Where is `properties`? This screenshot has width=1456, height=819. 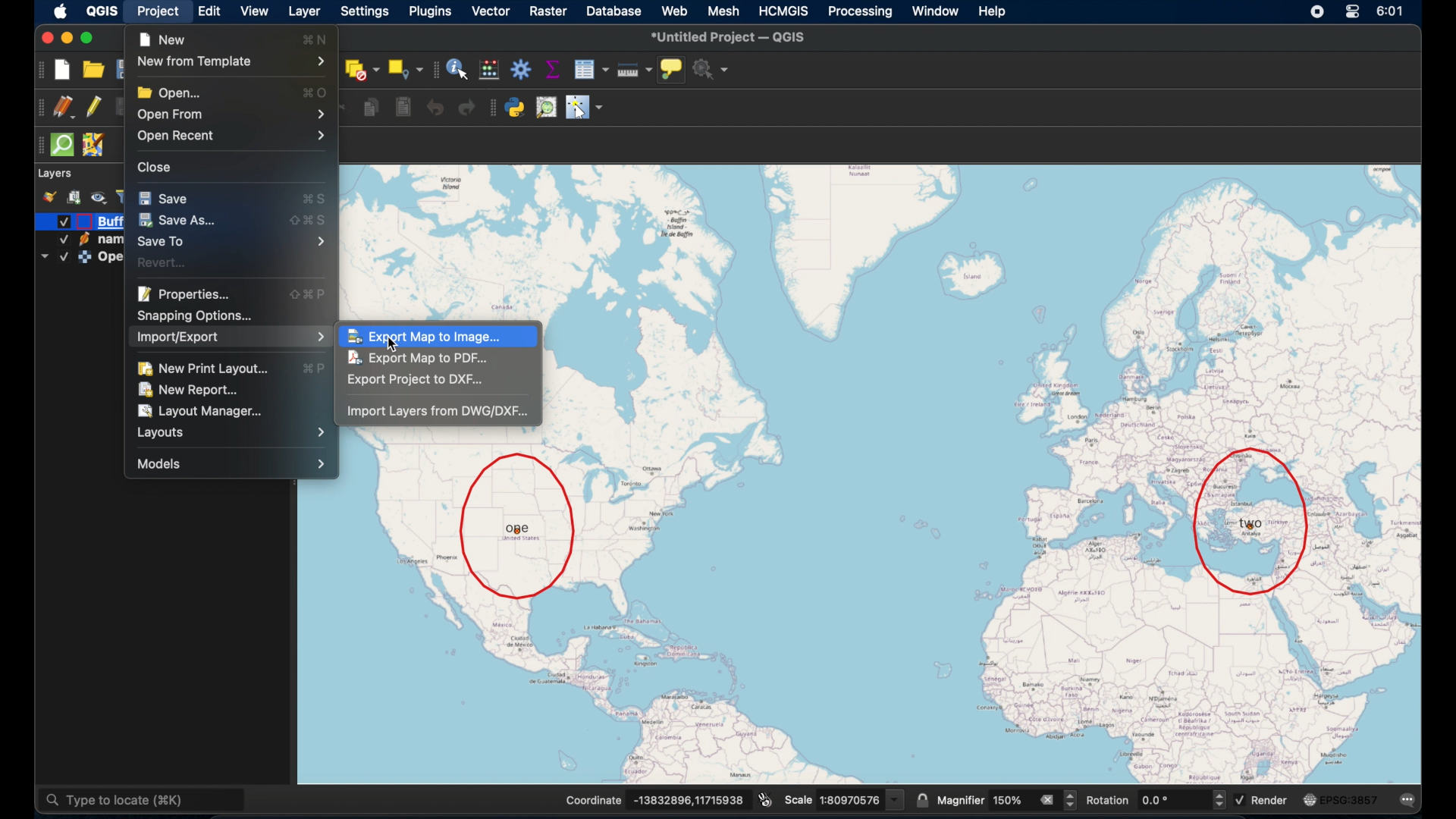 properties is located at coordinates (187, 294).